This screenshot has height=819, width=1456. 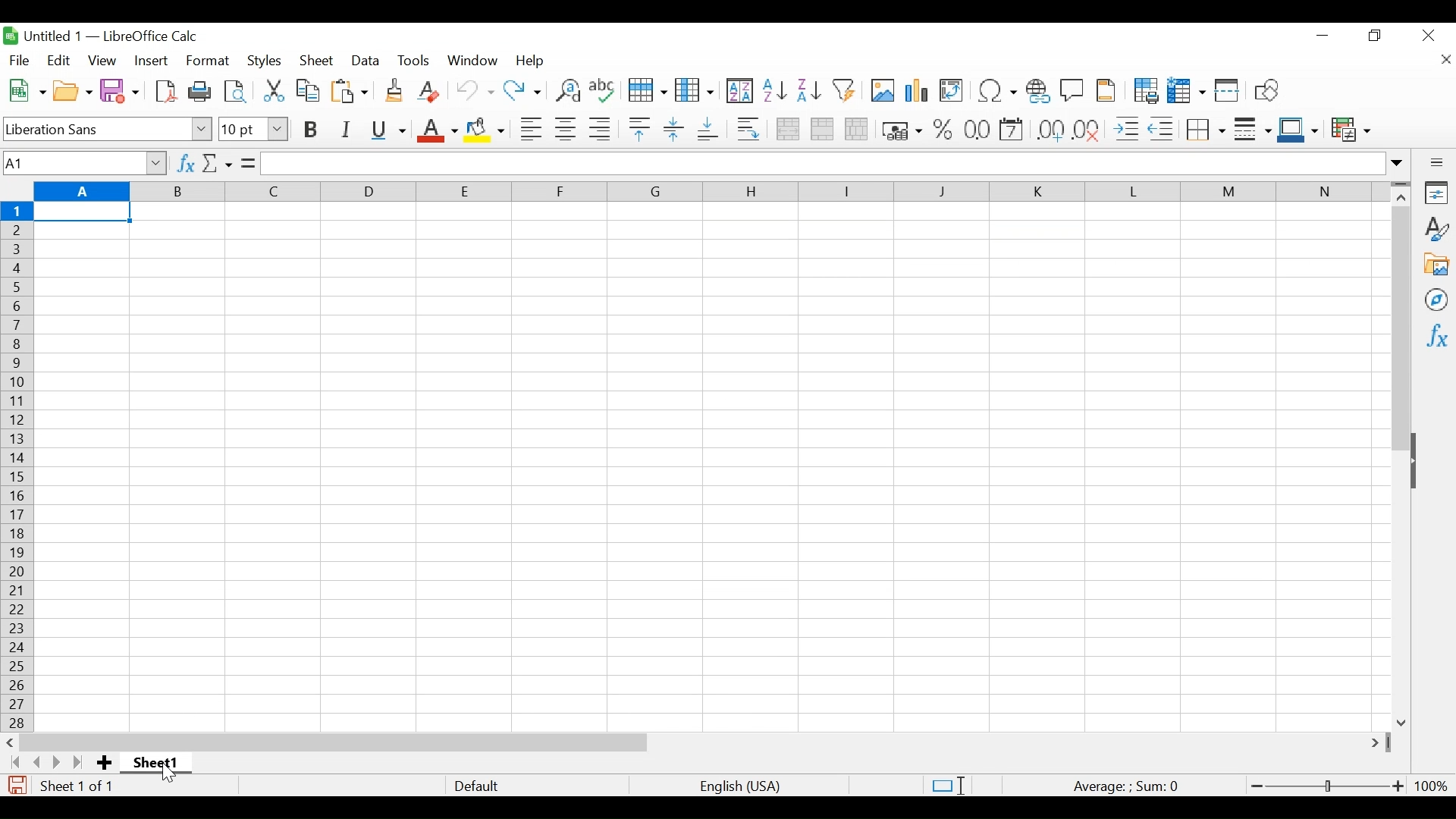 I want to click on Insert Comment, so click(x=1071, y=92).